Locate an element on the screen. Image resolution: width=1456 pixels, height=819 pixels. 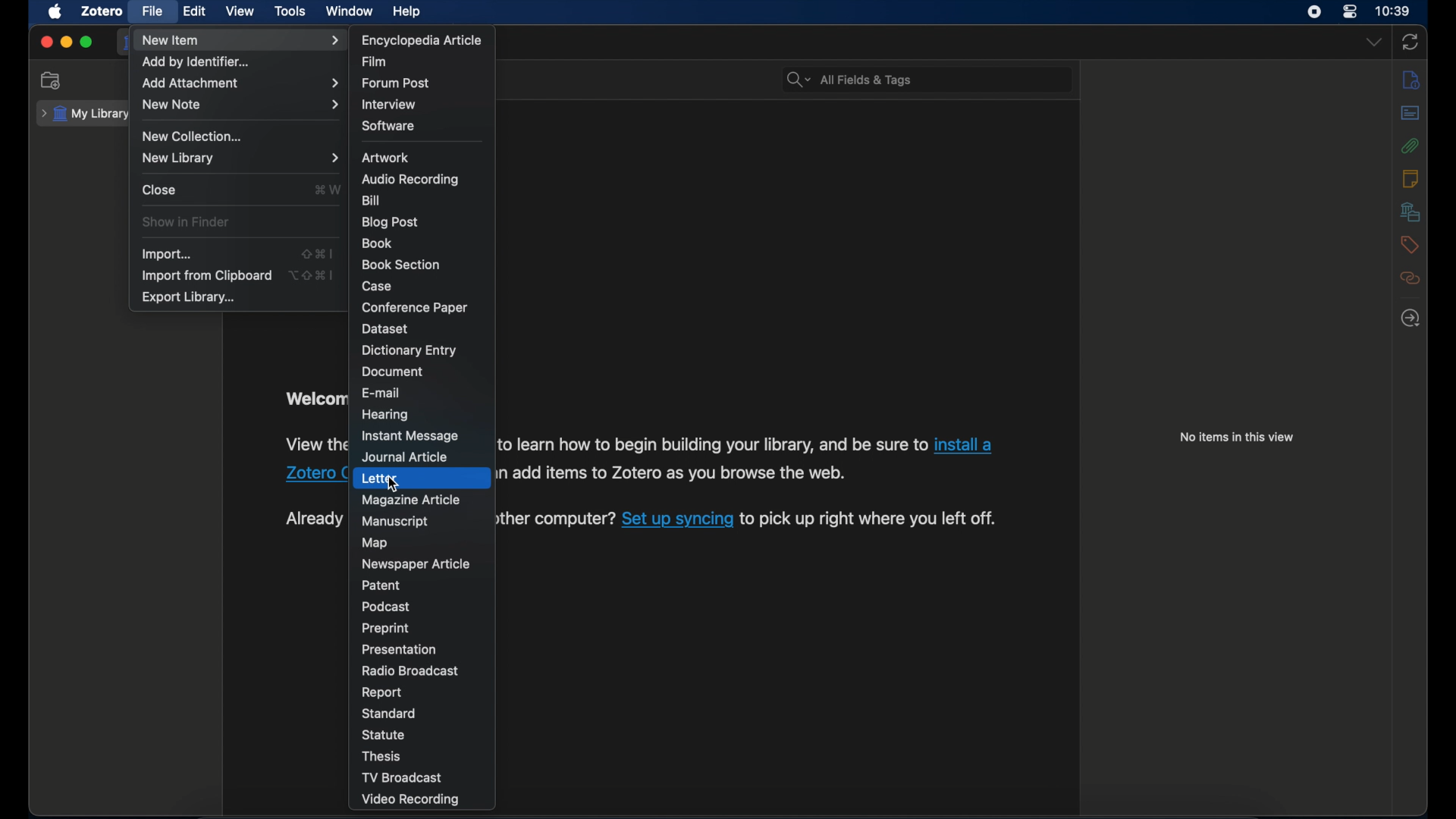
document is located at coordinates (391, 372).